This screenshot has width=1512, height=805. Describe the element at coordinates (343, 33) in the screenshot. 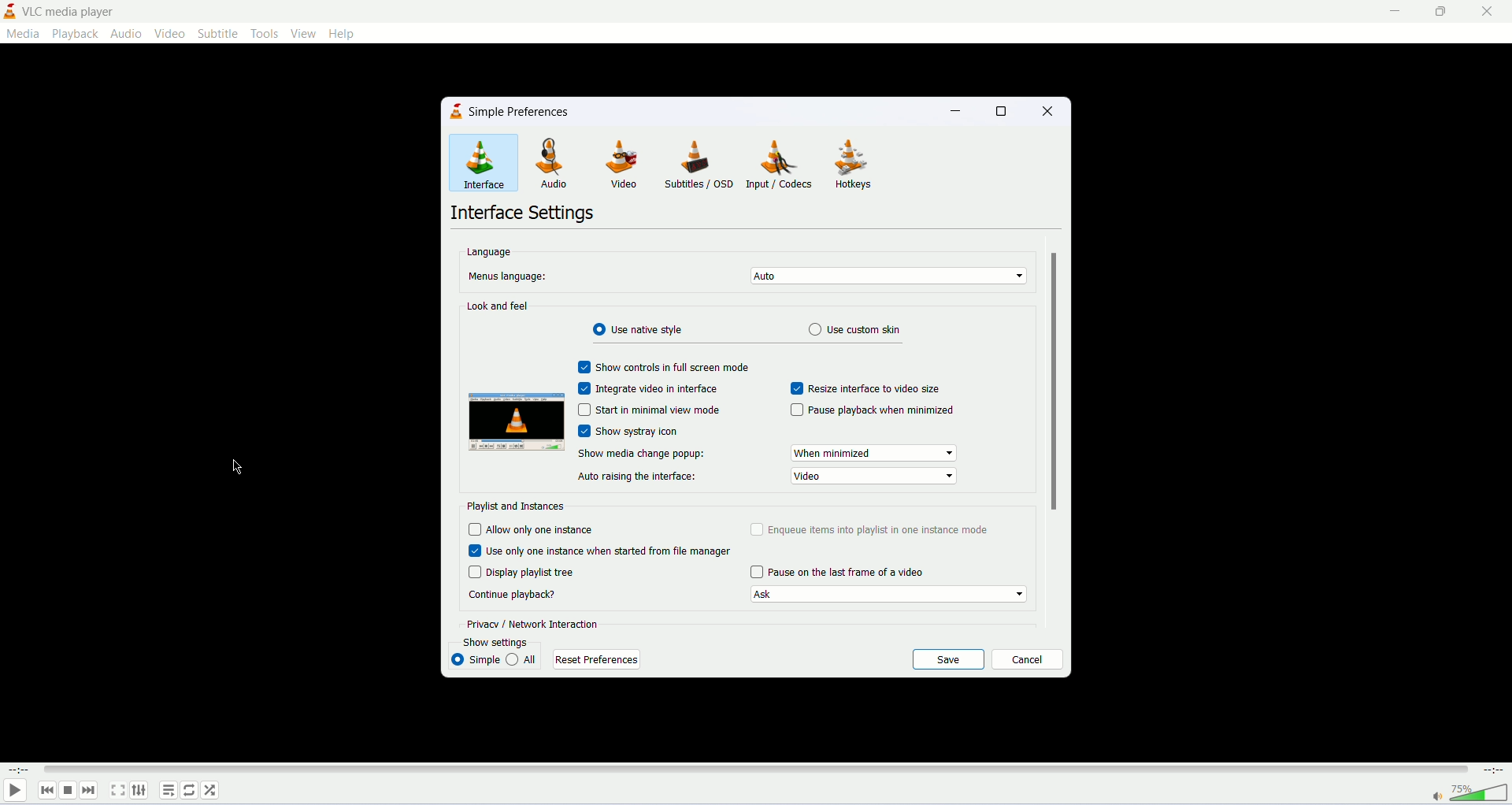

I see `help` at that location.